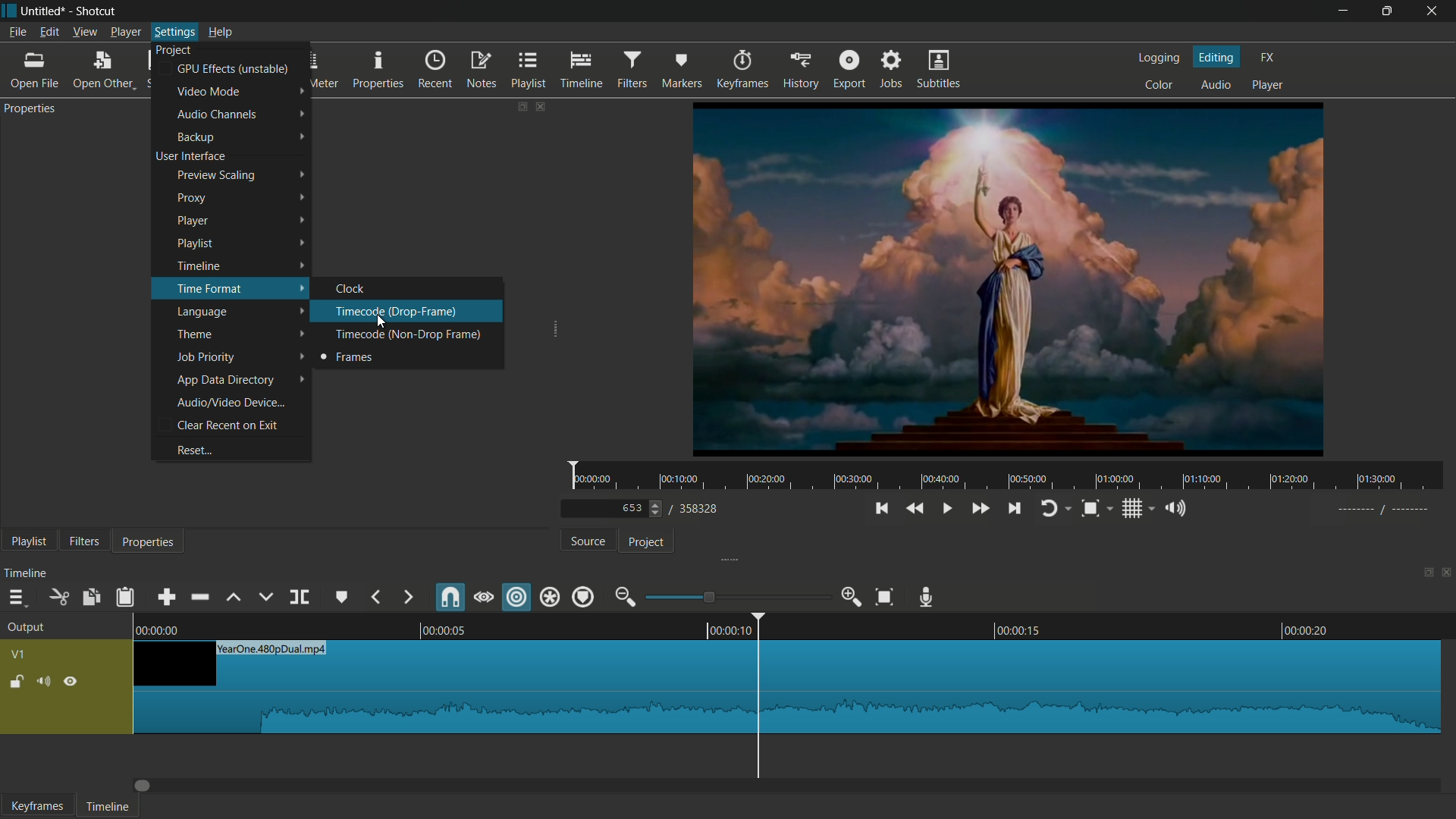 The width and height of the screenshot is (1456, 819). I want to click on copy, so click(95, 597).